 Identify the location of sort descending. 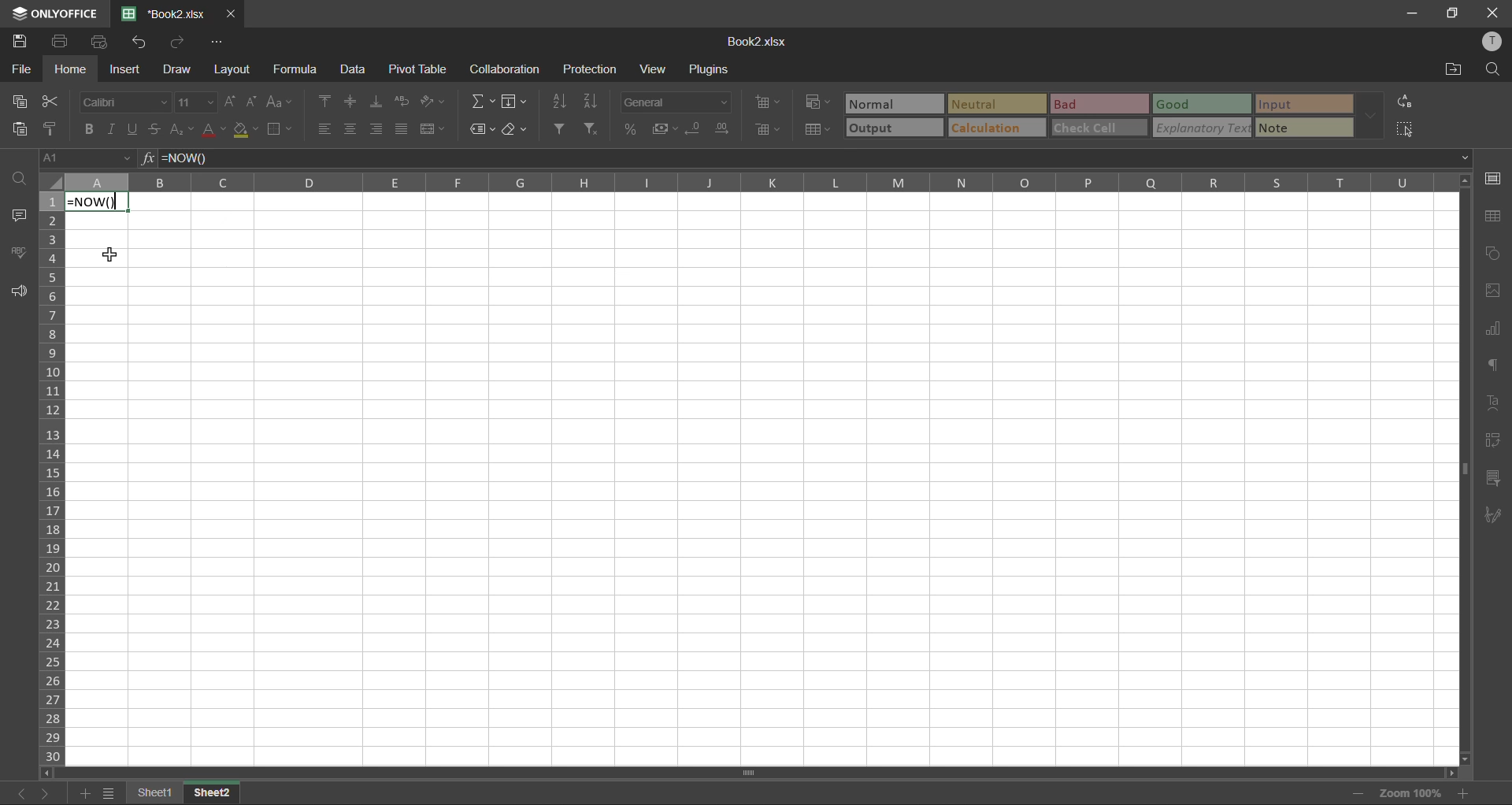
(595, 99).